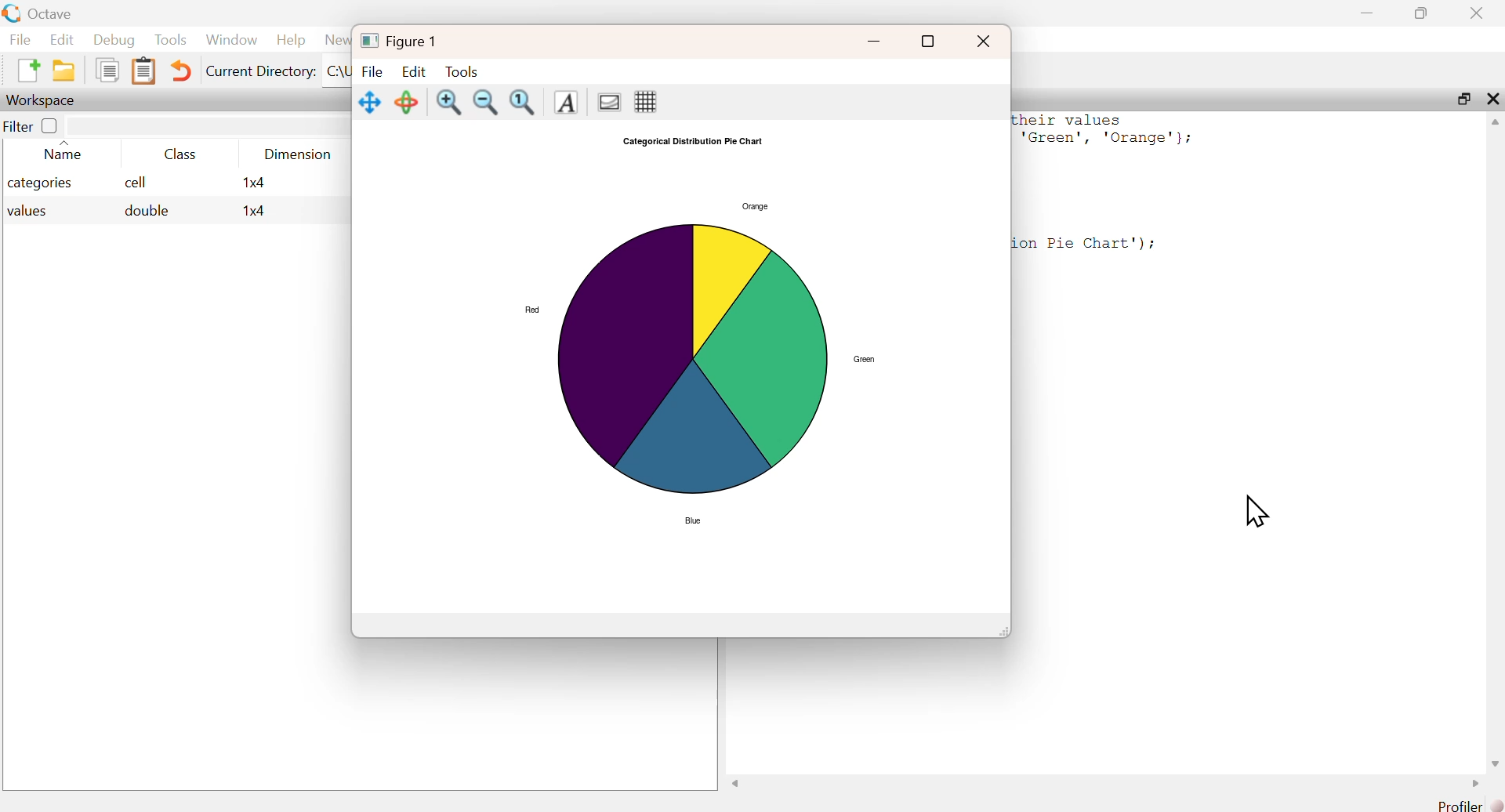  Describe the element at coordinates (448, 103) in the screenshot. I see `zoom in` at that location.